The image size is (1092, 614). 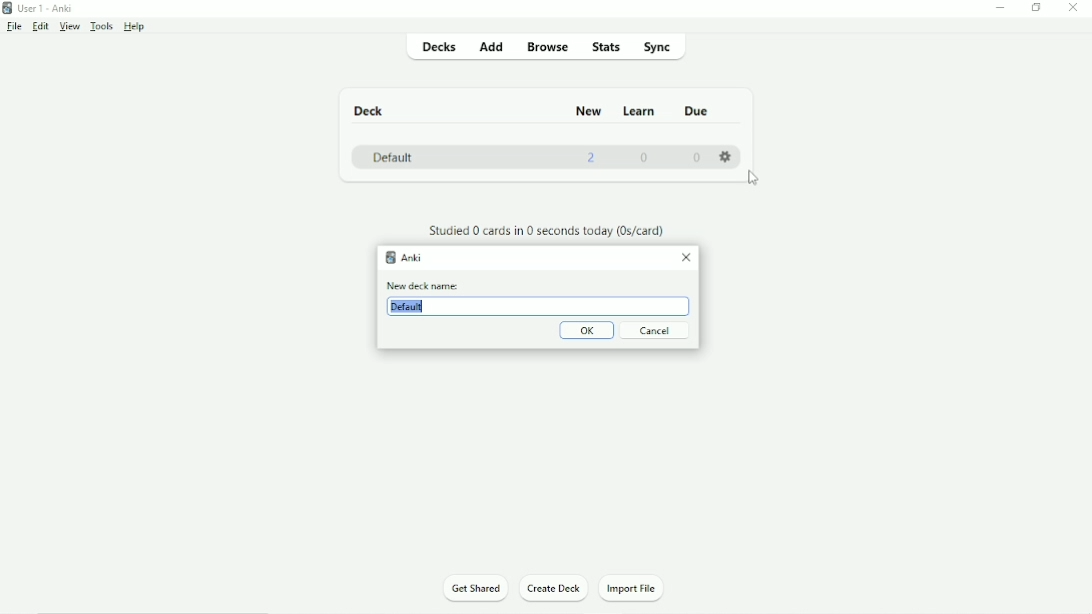 I want to click on Get Shared, so click(x=475, y=587).